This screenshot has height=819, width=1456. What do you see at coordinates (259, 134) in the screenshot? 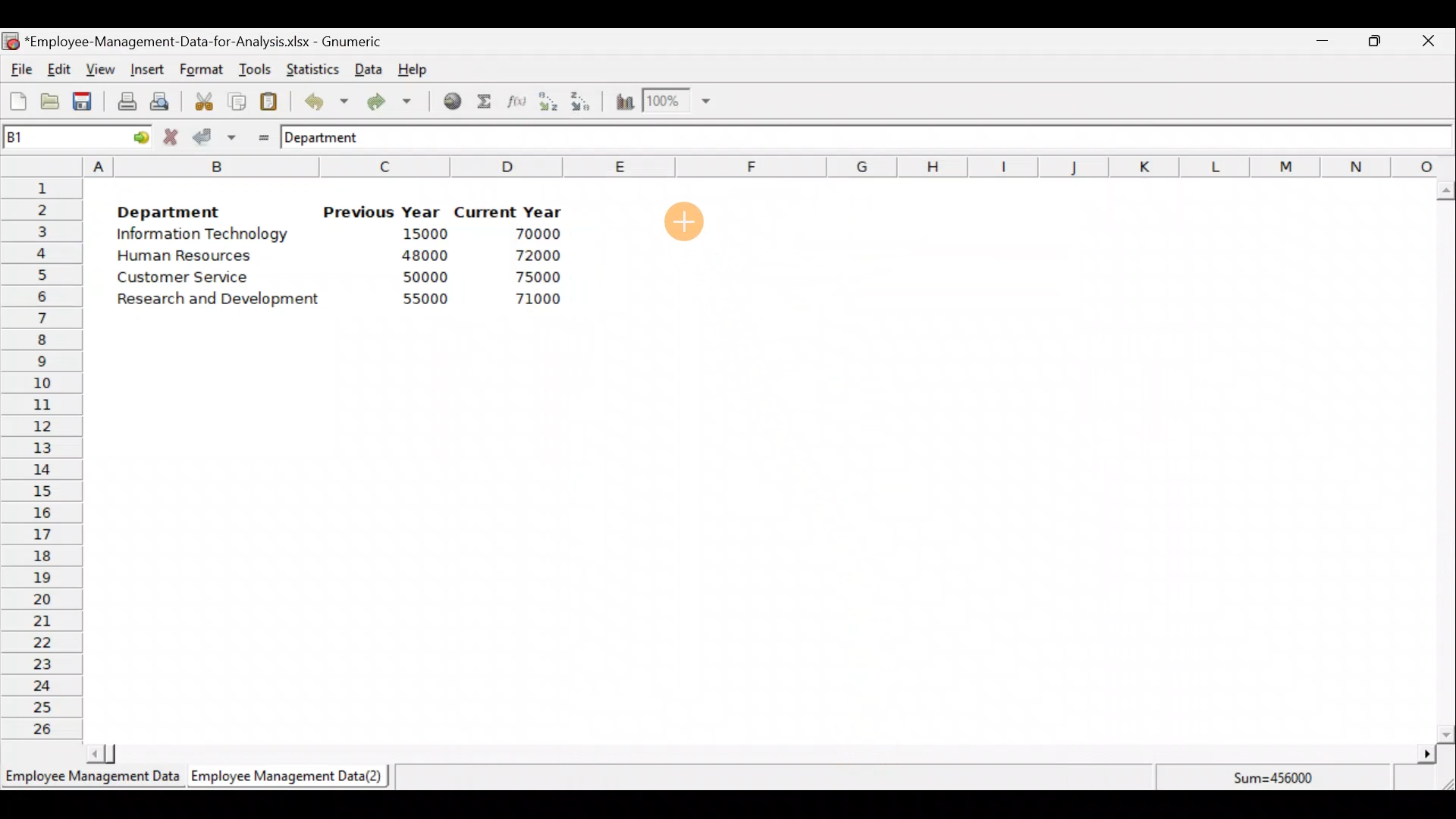
I see `Enter formula` at bounding box center [259, 134].